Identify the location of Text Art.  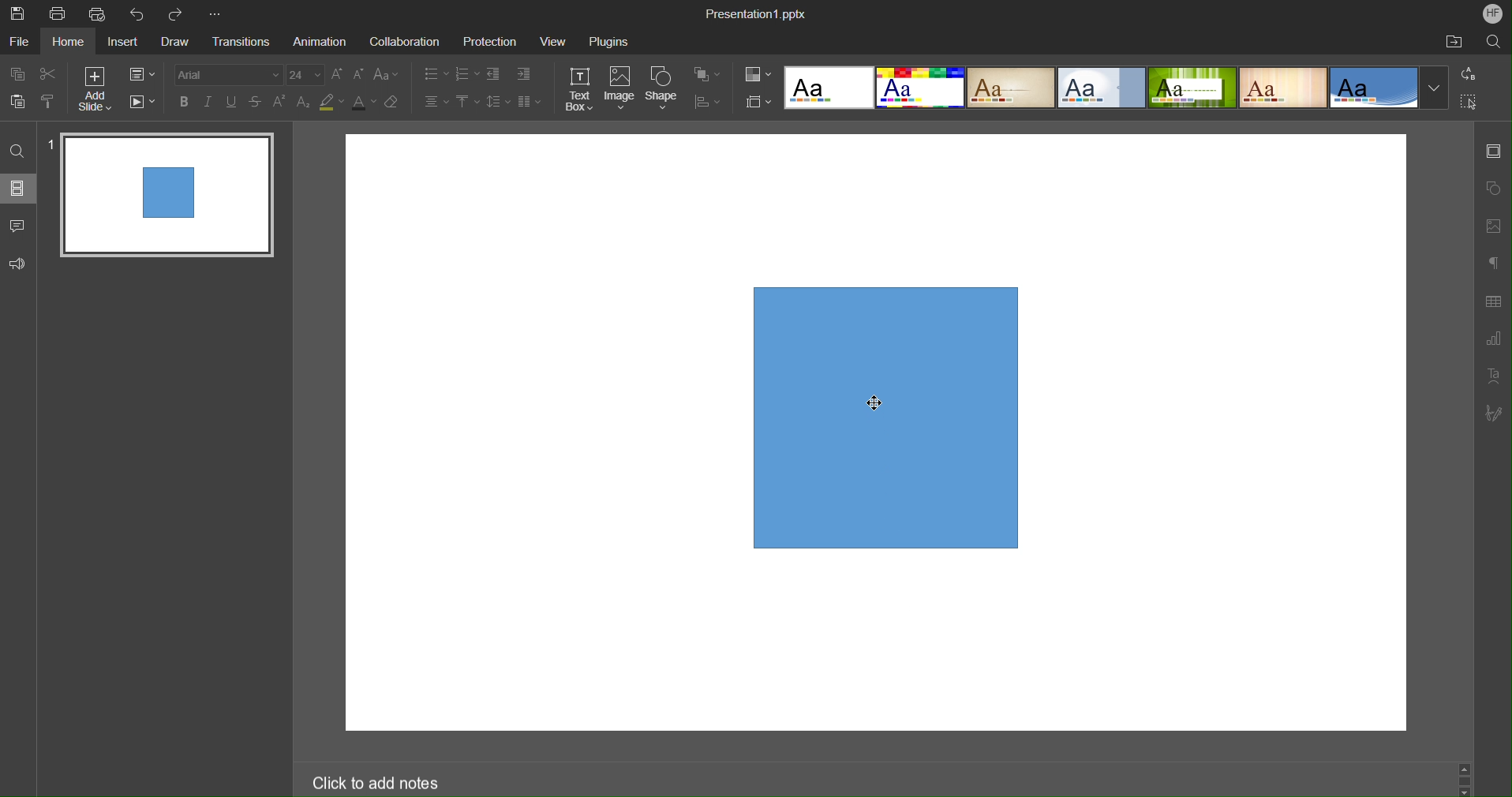
(1493, 376).